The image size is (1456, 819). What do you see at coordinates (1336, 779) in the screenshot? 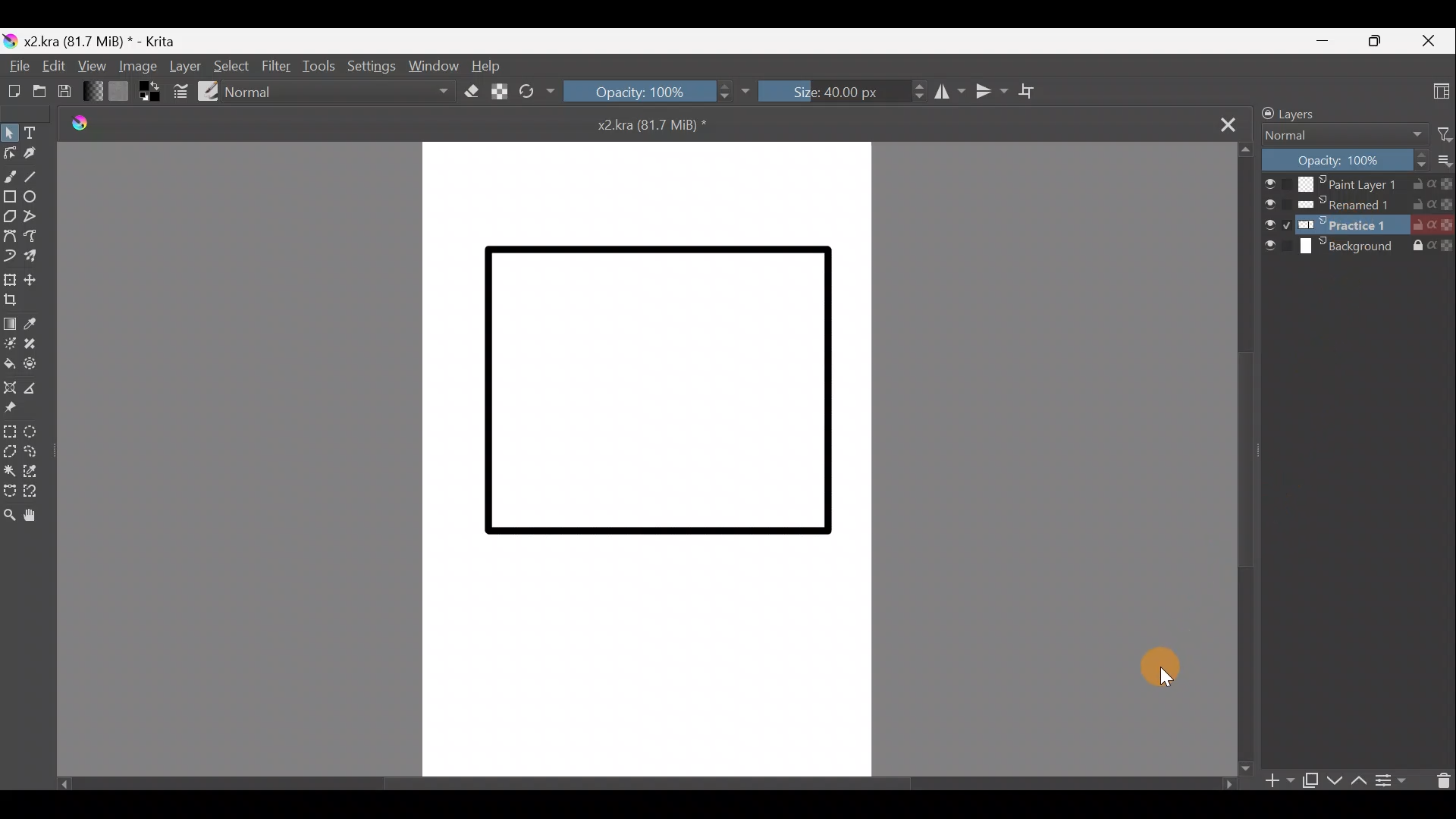
I see `Move layer/mask down` at bounding box center [1336, 779].